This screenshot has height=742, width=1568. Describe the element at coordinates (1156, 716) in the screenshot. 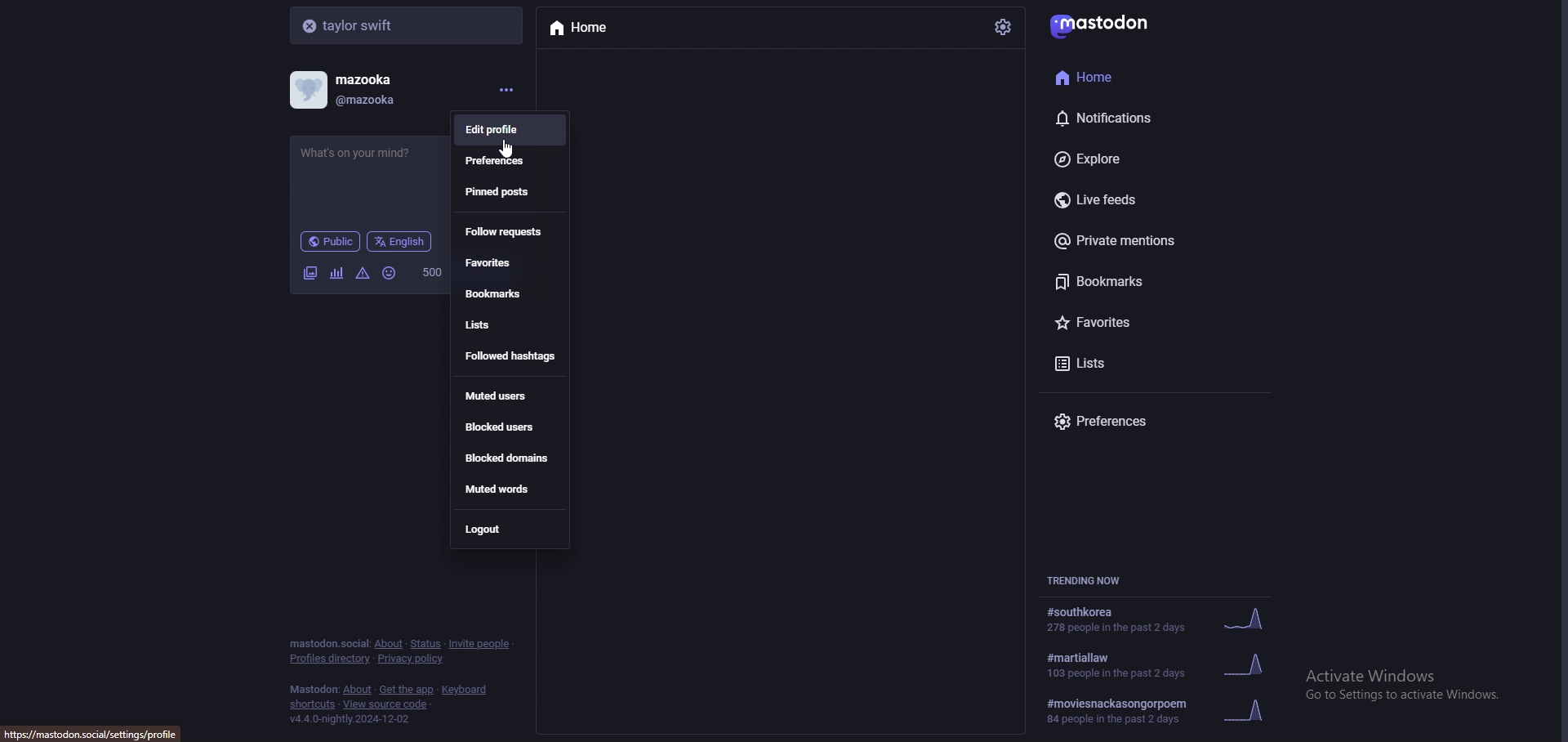

I see `trend` at that location.